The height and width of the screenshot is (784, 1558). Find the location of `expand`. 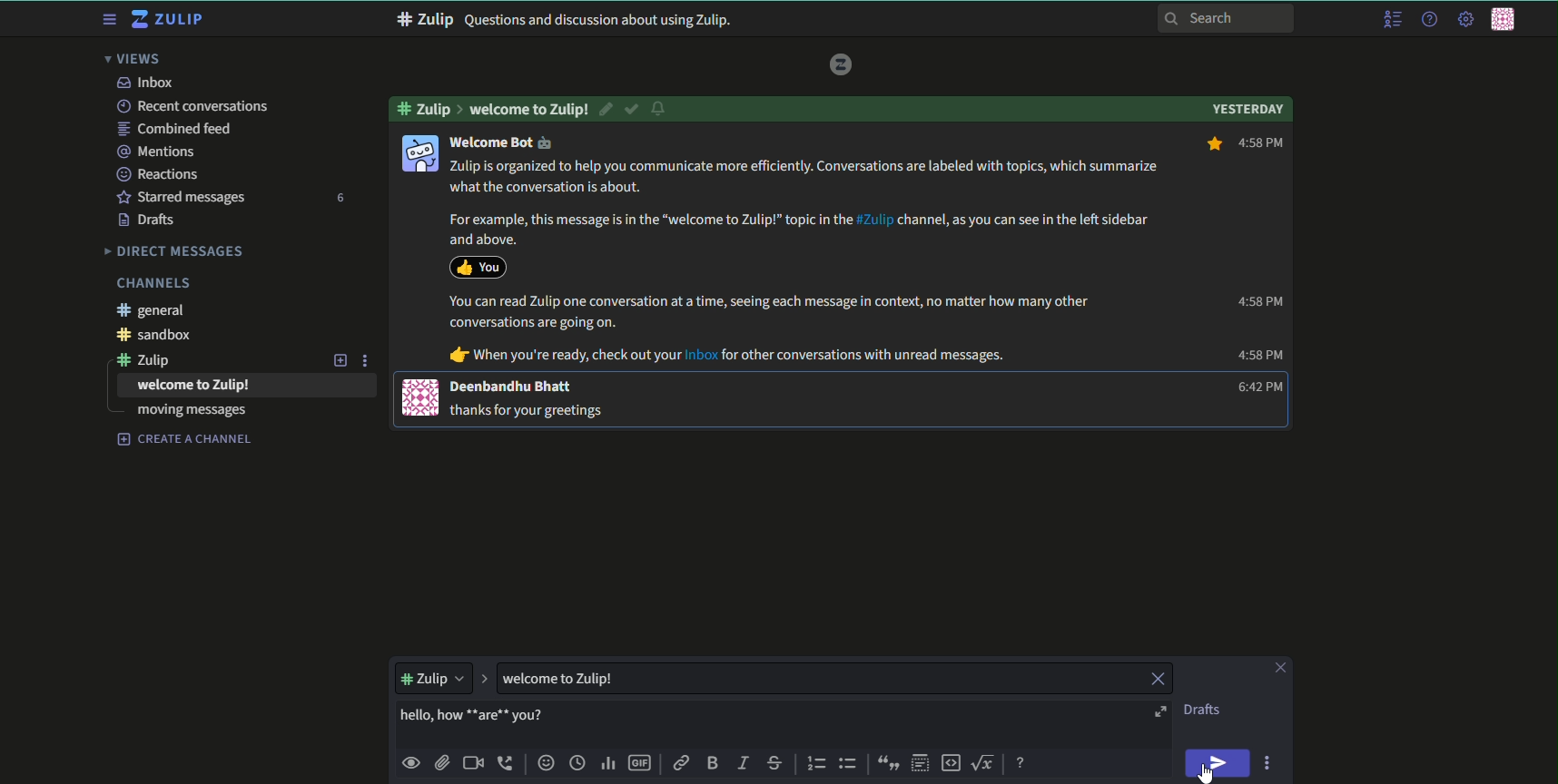

expand is located at coordinates (484, 677).